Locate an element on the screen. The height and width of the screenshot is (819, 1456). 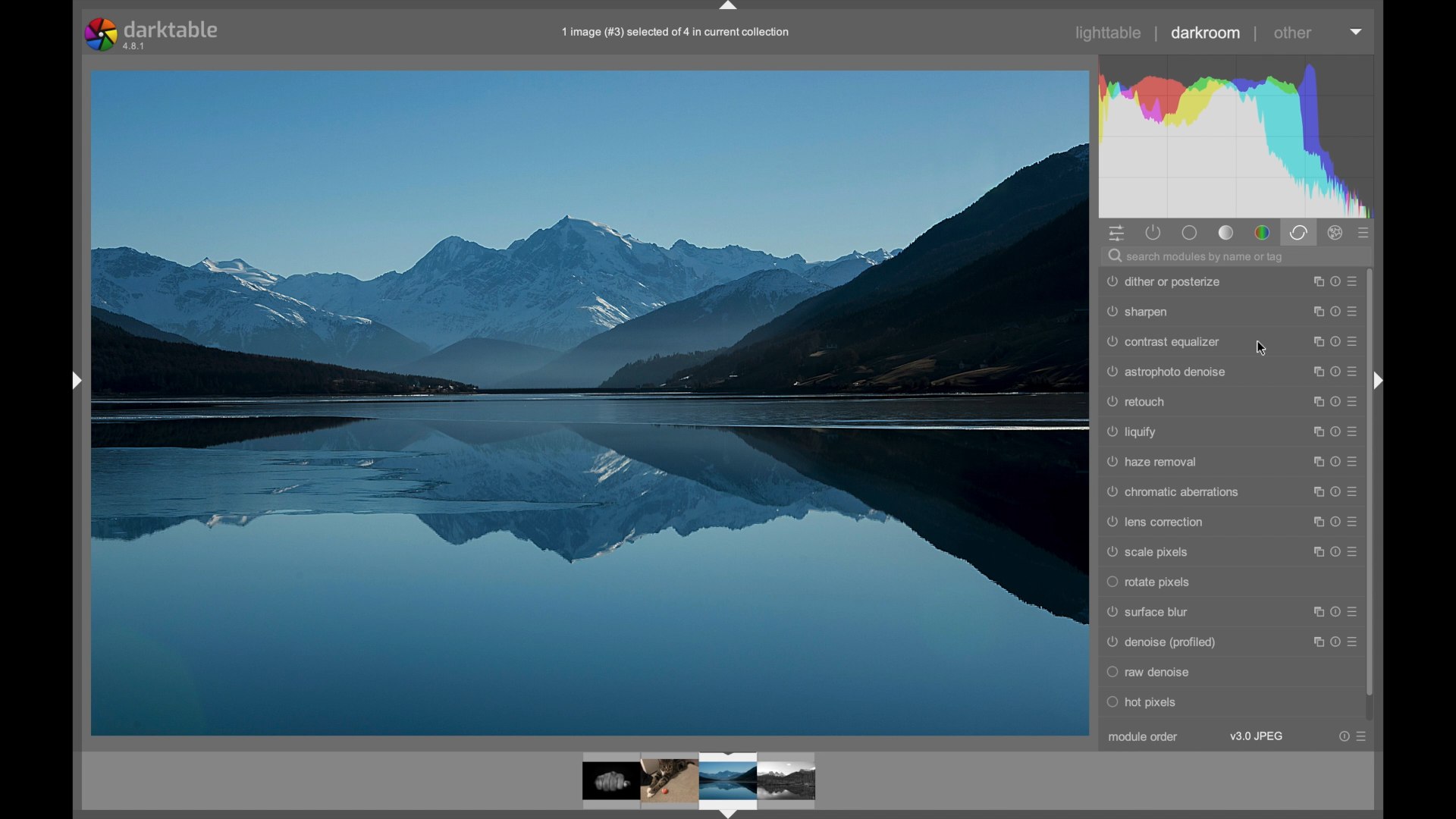
retouch is located at coordinates (1137, 401).